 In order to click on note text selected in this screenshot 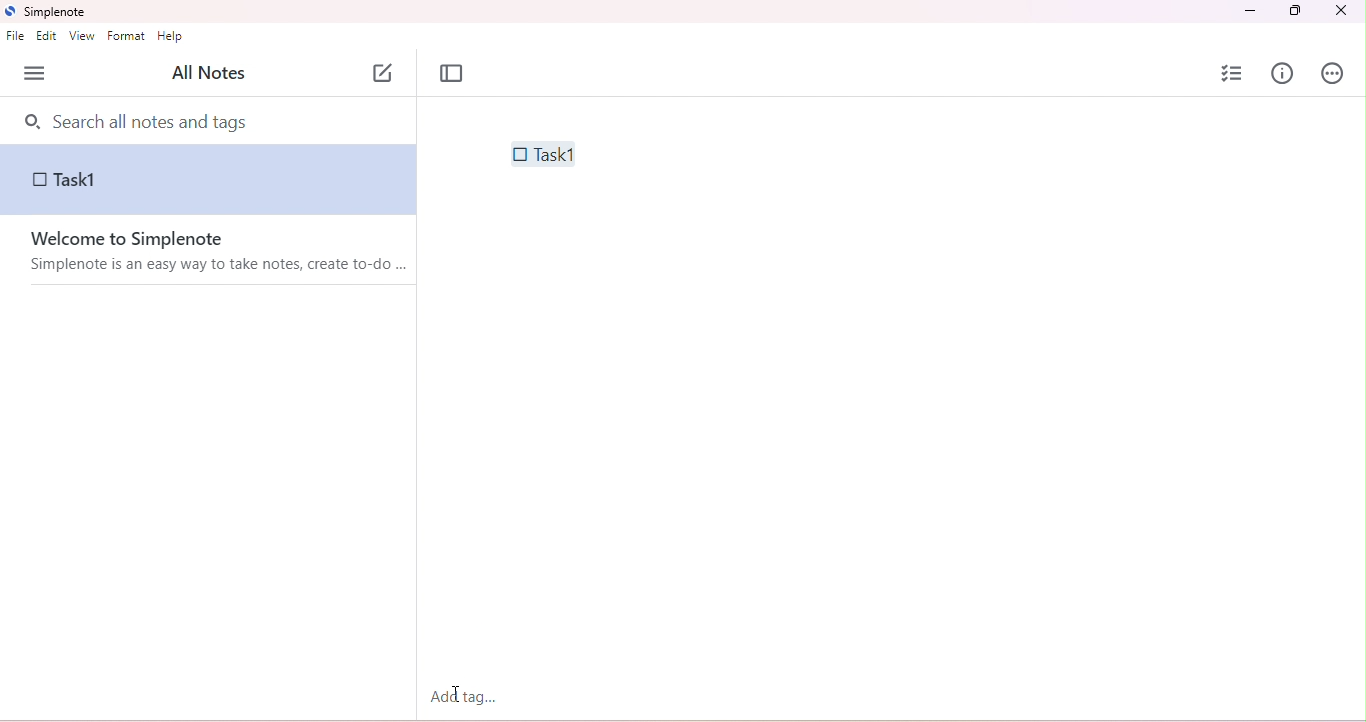, I will do `click(541, 153)`.